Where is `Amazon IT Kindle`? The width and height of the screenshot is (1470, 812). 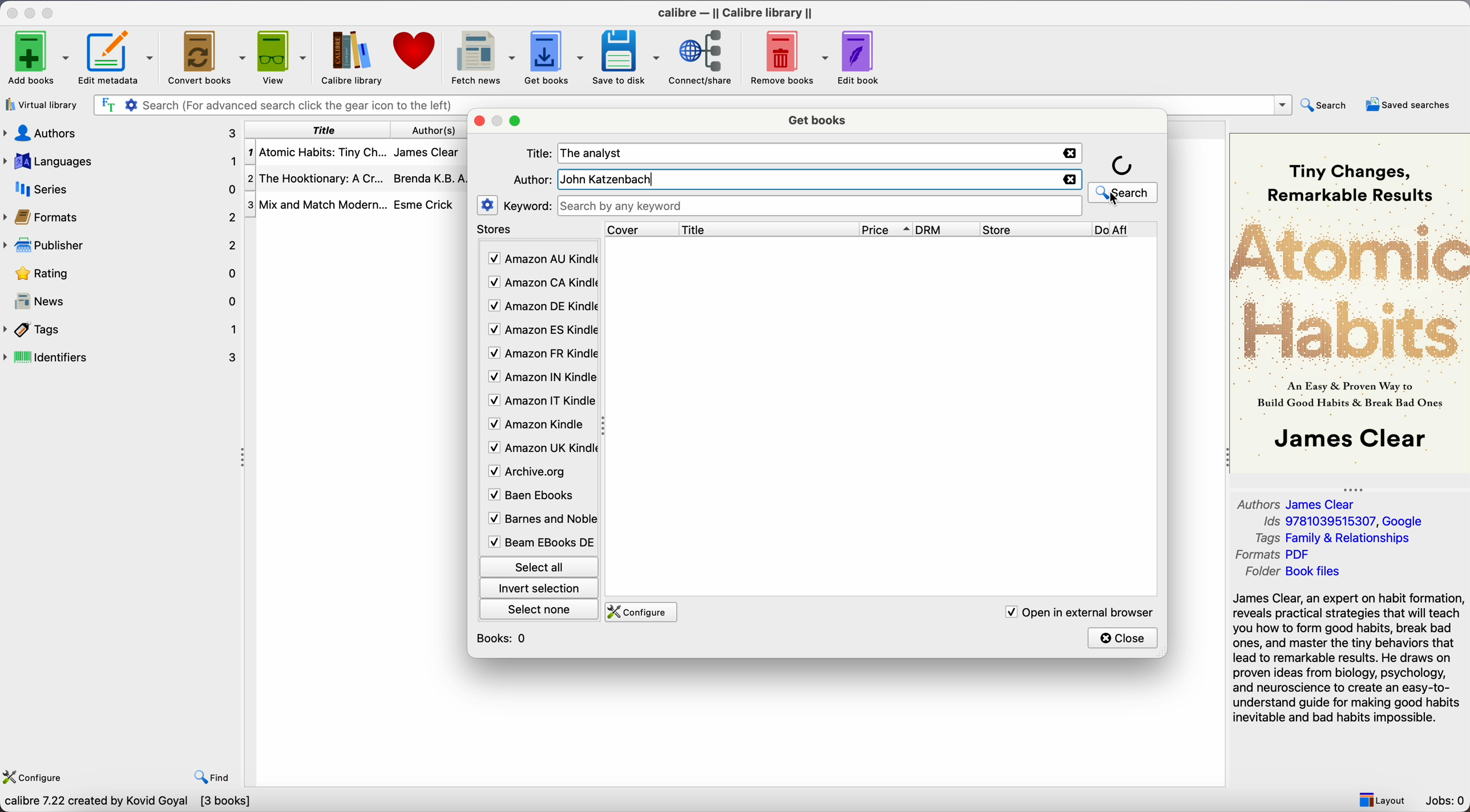
Amazon IT Kindle is located at coordinates (540, 403).